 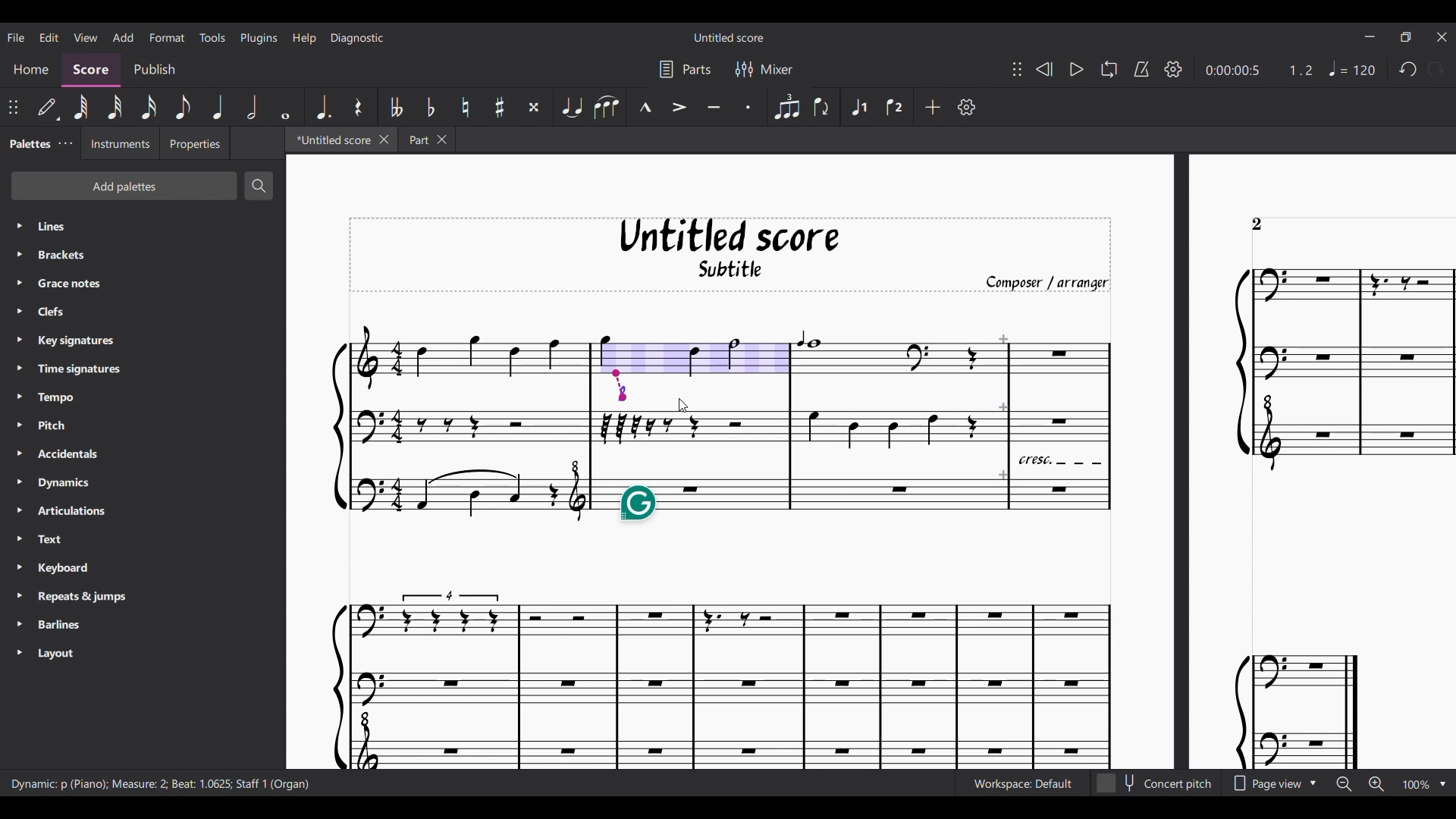 What do you see at coordinates (620, 385) in the screenshot?
I see `Indicates note the dynamic marking is going to get attached to` at bounding box center [620, 385].